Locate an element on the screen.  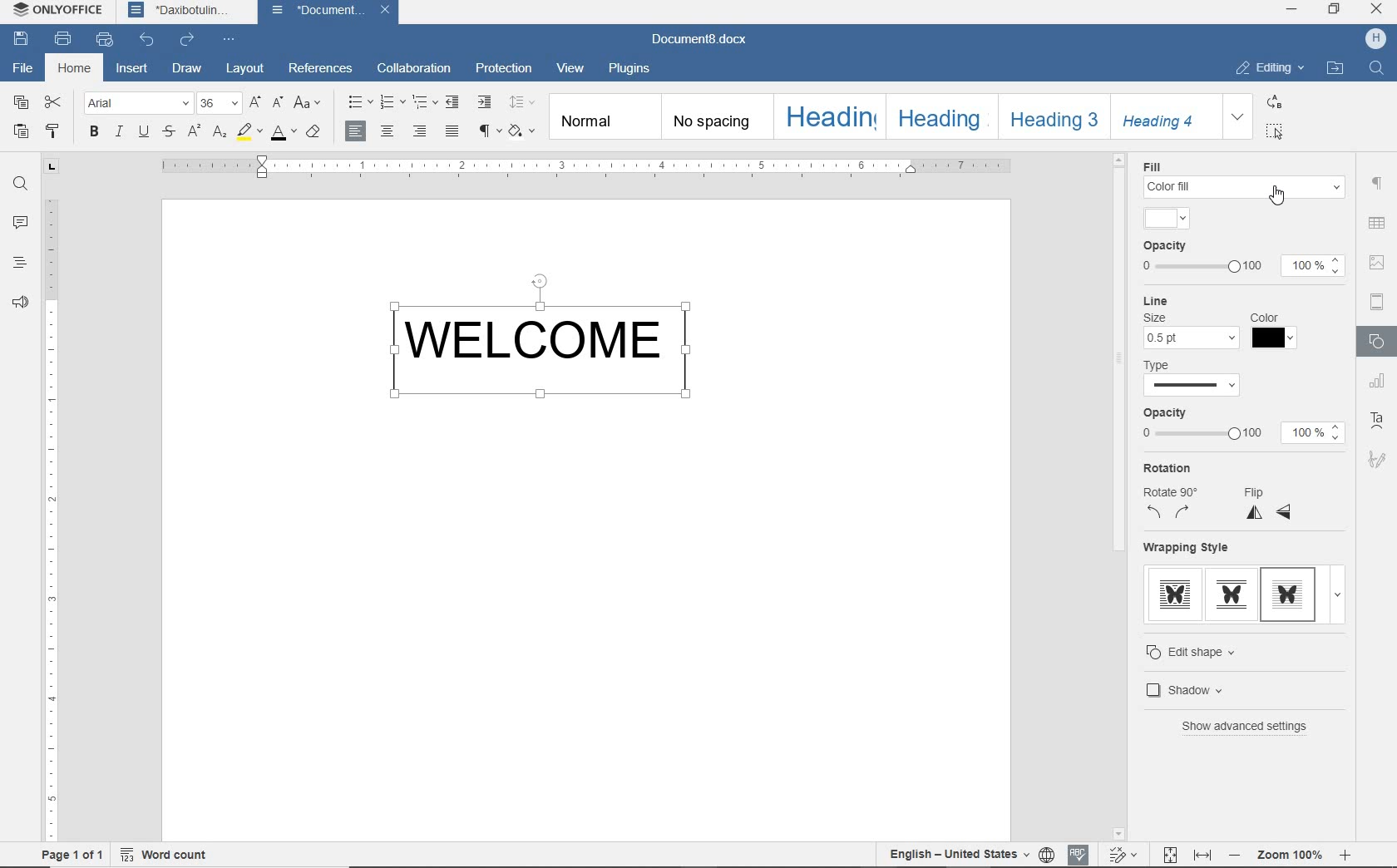
rotation anti-clockwise and clockwise is located at coordinates (1170, 513).